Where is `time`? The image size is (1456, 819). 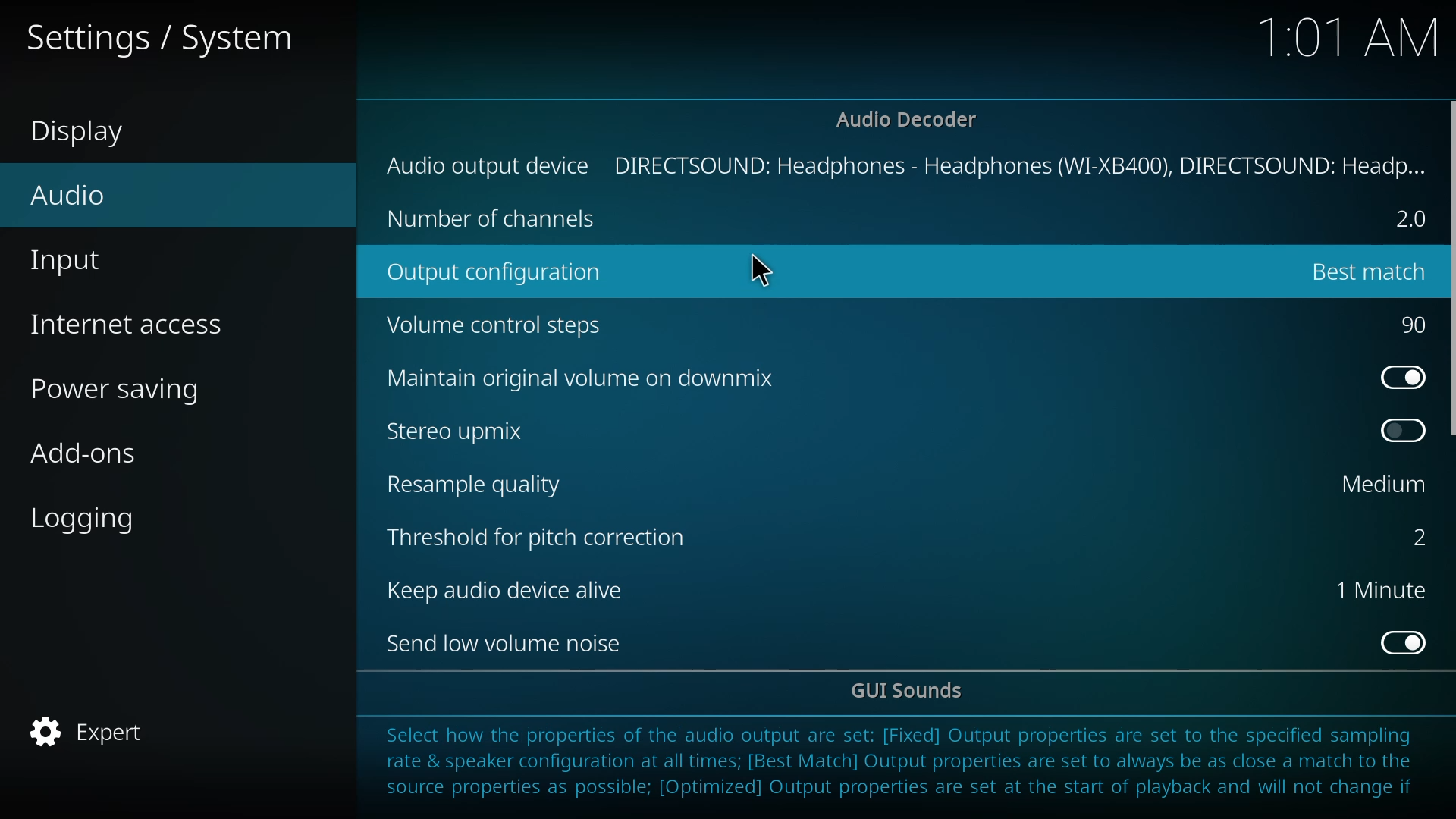 time is located at coordinates (1345, 38).